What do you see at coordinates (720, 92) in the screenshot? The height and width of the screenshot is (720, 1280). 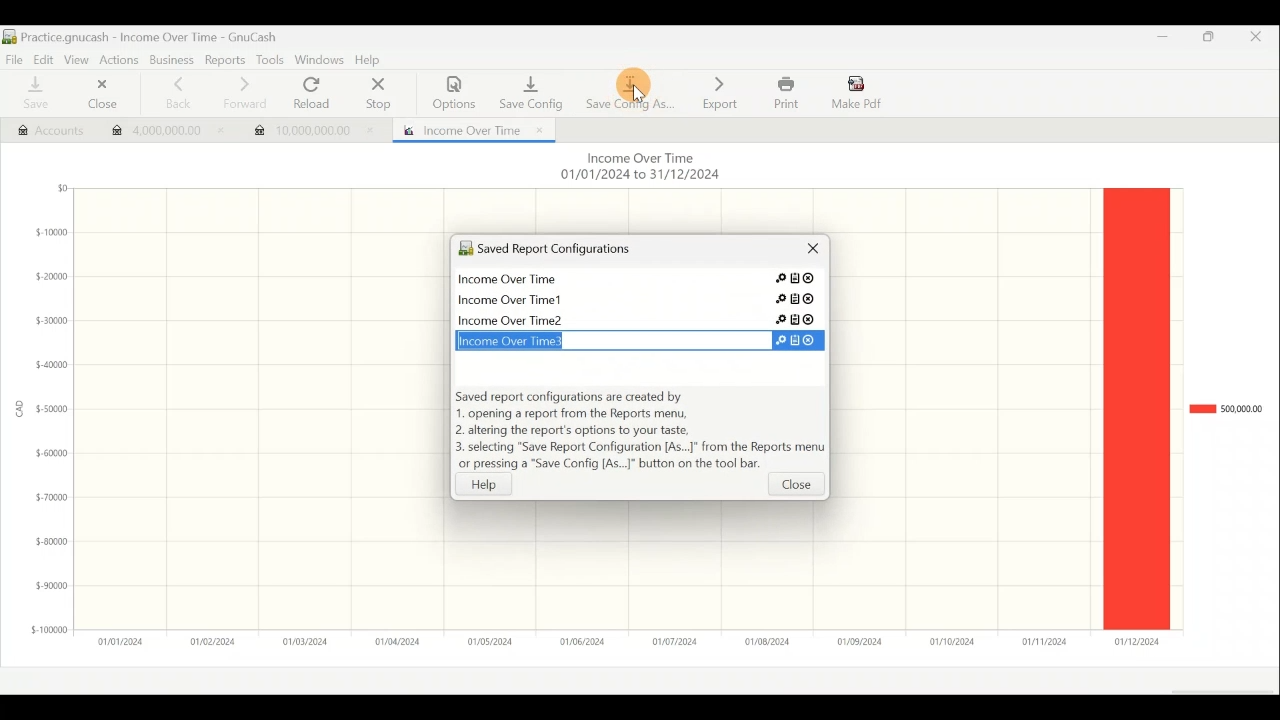 I see `Export` at bounding box center [720, 92].